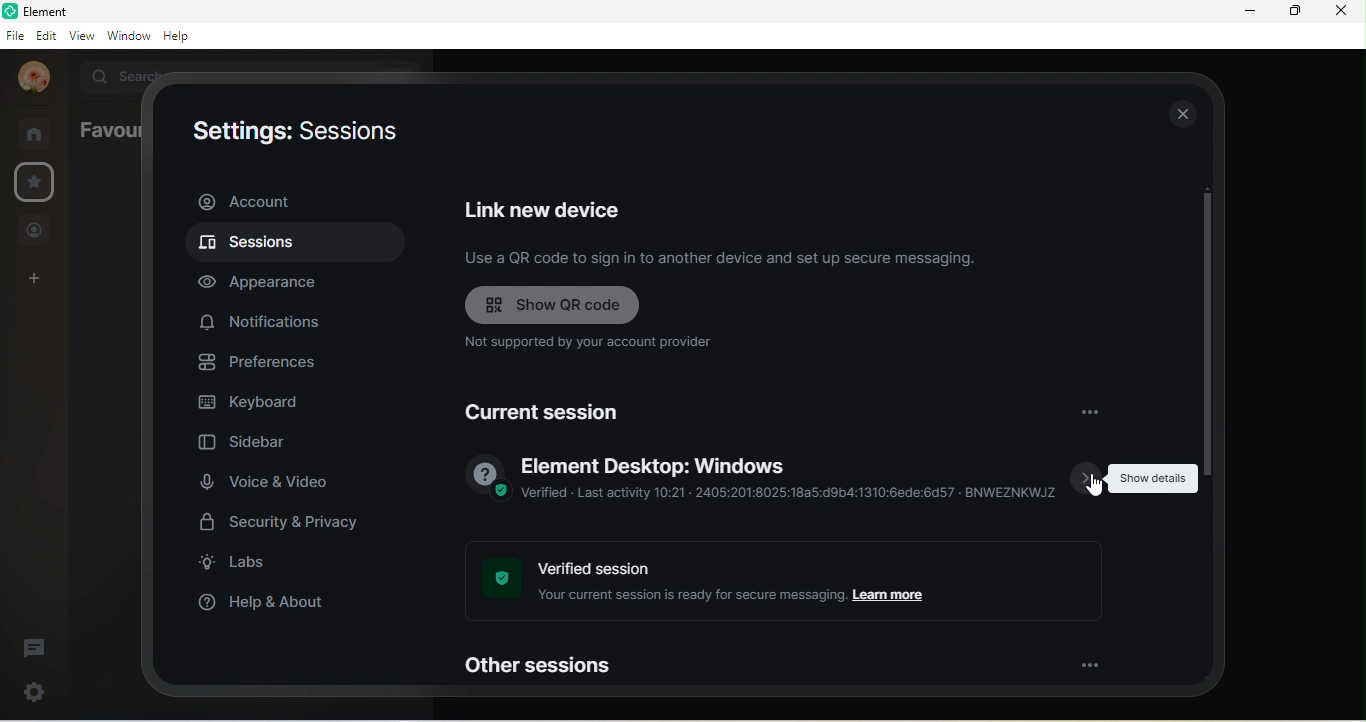  Describe the element at coordinates (293, 201) in the screenshot. I see `account` at that location.